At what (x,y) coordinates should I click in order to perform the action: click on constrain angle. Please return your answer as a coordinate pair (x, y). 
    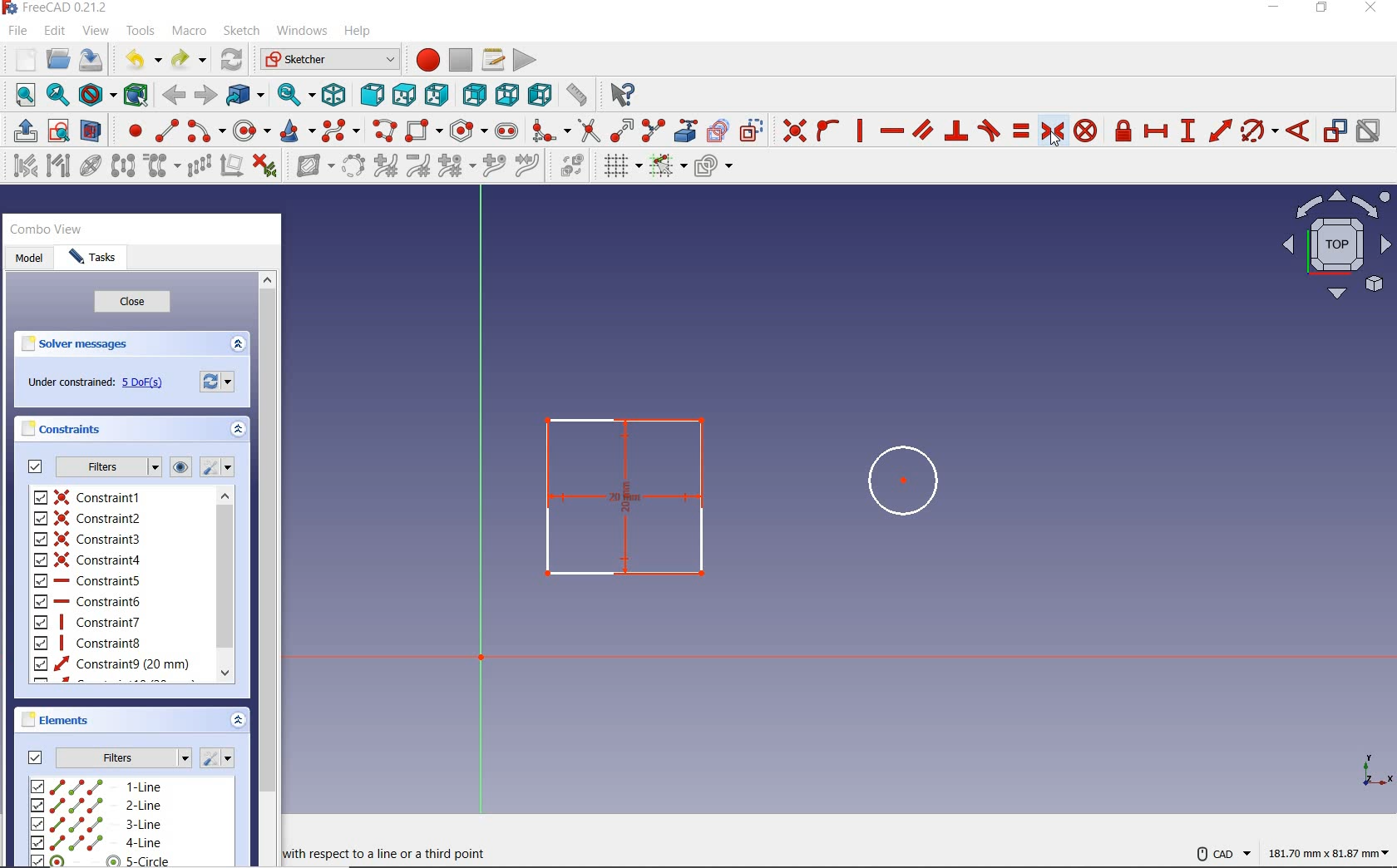
    Looking at the image, I should click on (1300, 131).